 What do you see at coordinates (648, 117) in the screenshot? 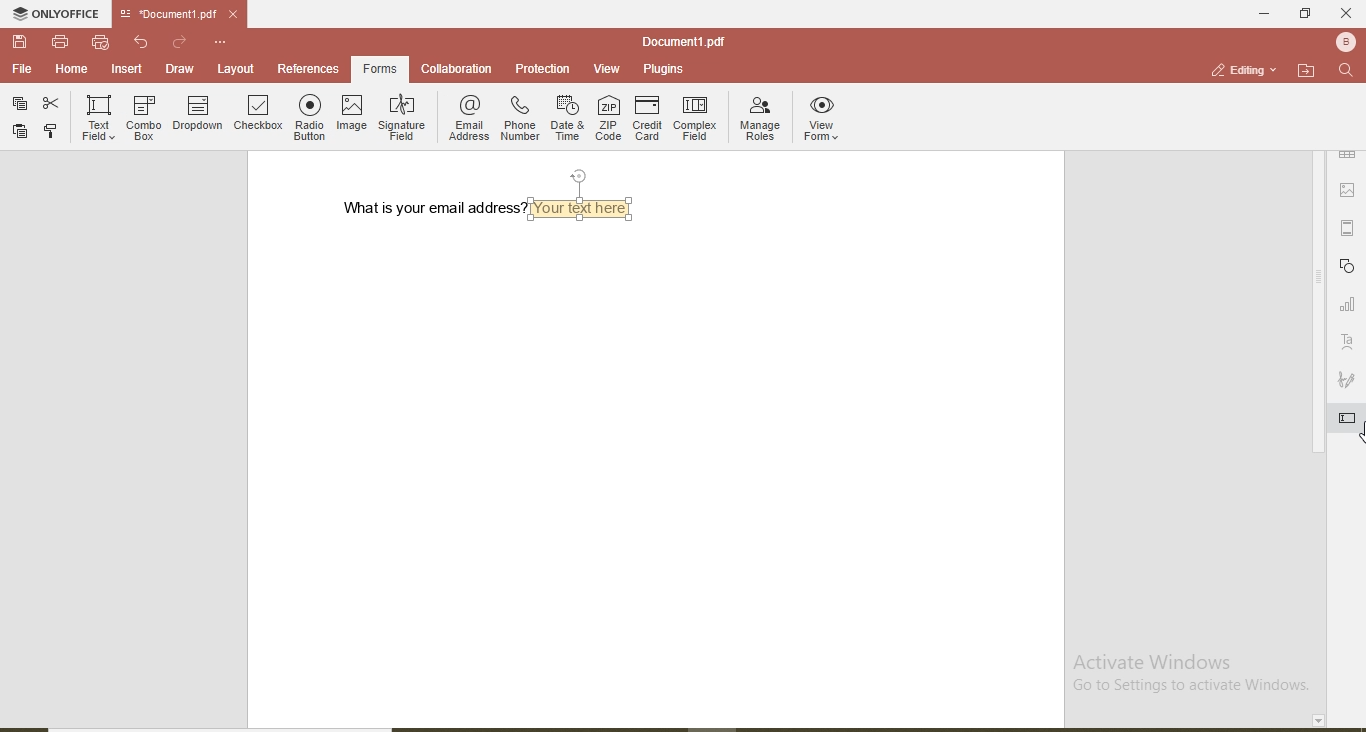
I see `credit card` at bounding box center [648, 117].